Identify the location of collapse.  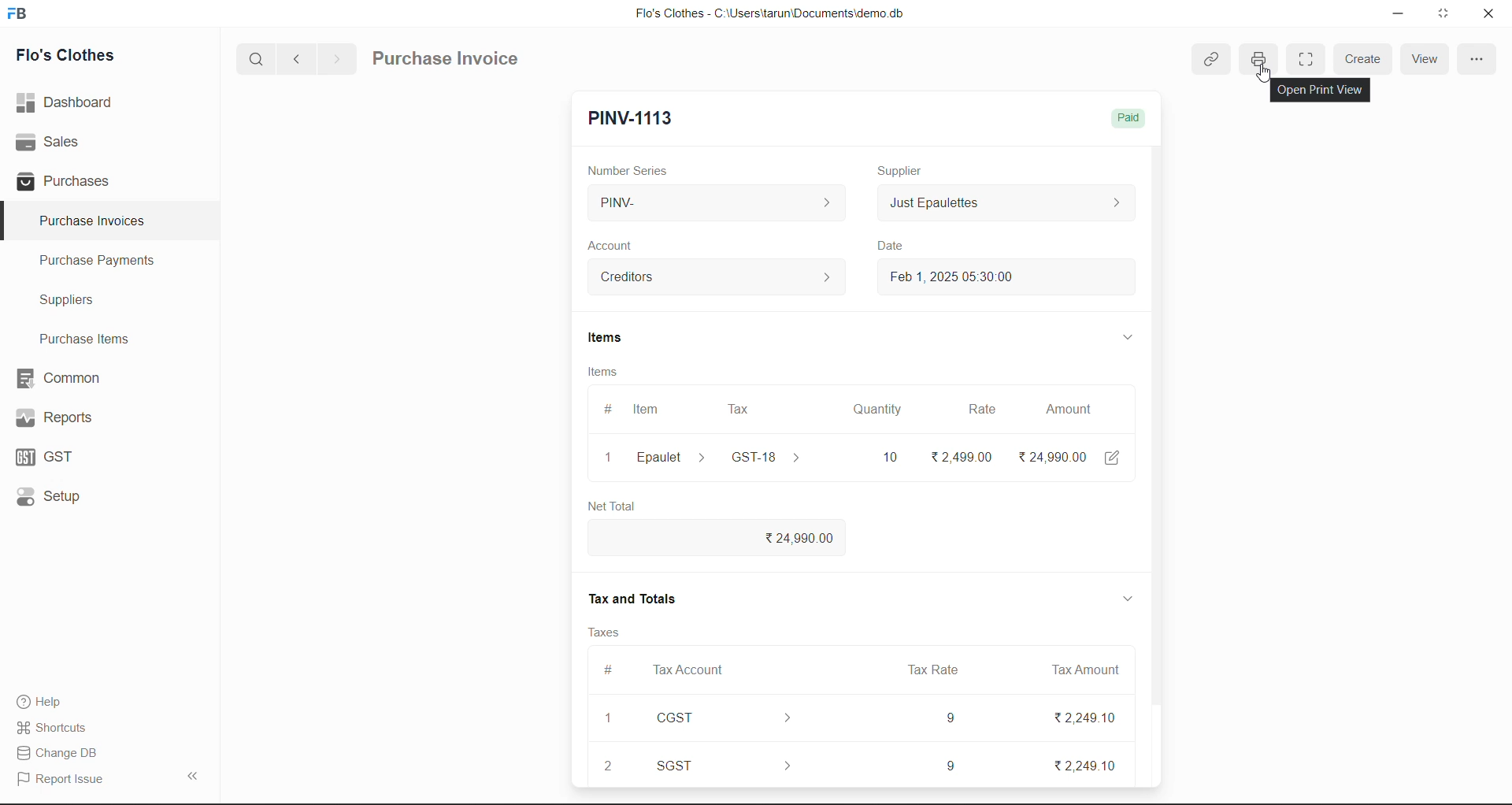
(198, 777).